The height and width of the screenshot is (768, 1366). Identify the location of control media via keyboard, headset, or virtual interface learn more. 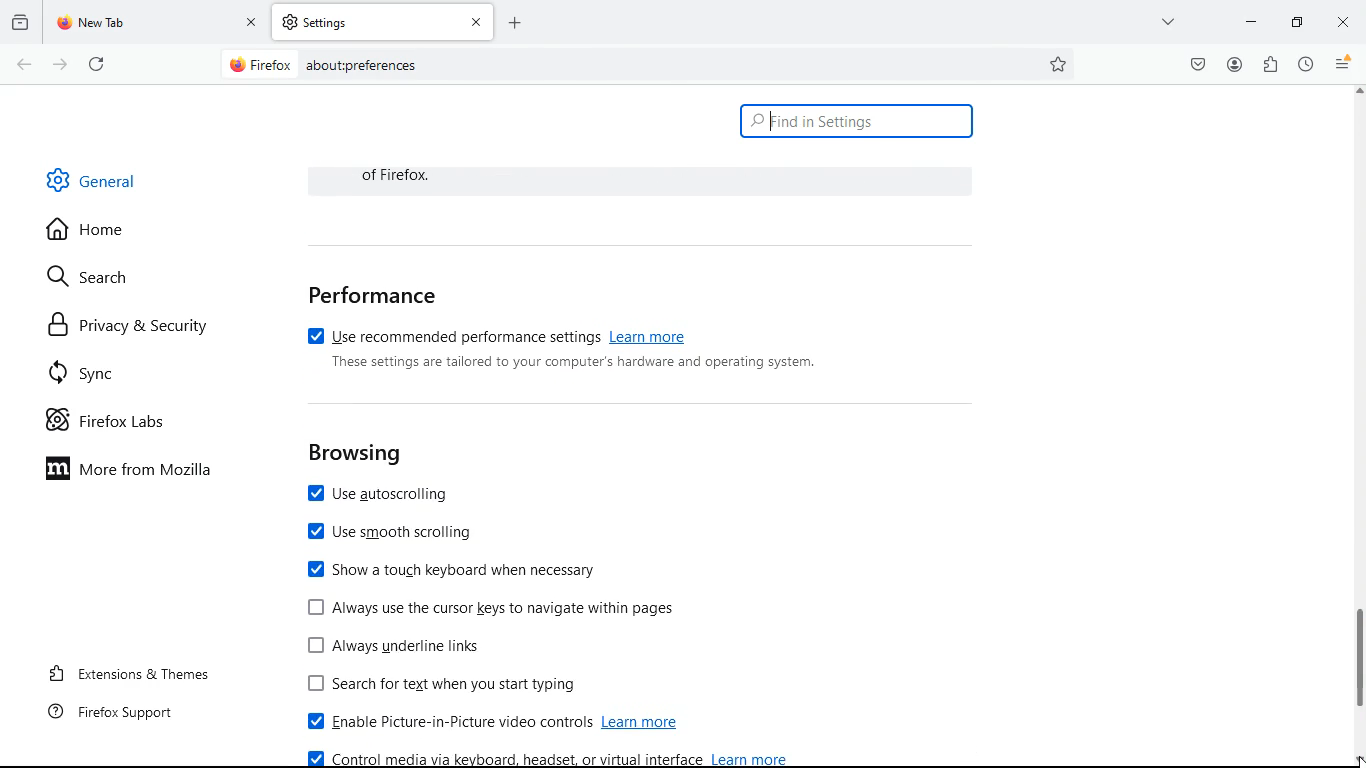
(550, 758).